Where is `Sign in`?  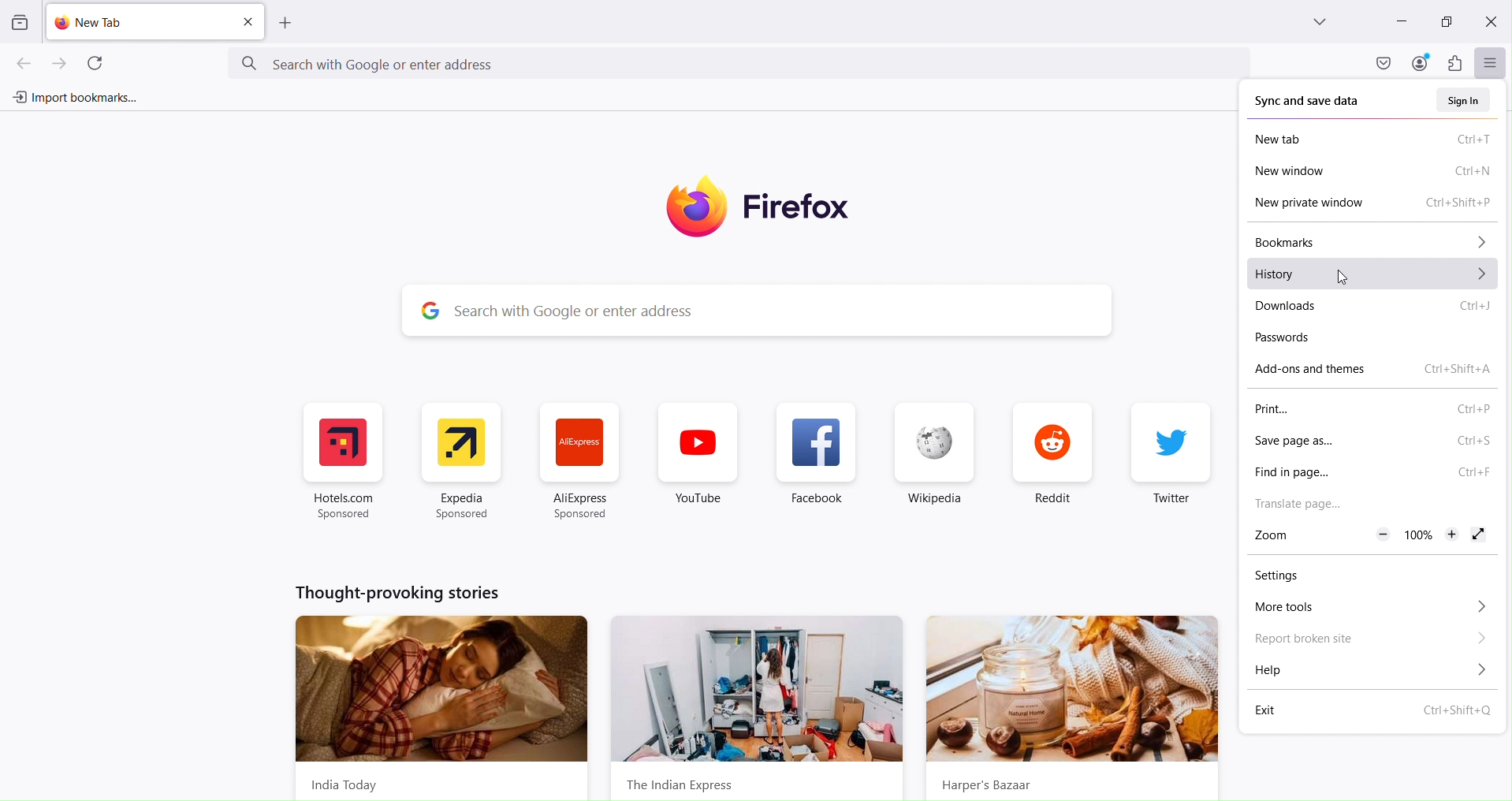
Sign in is located at coordinates (1468, 100).